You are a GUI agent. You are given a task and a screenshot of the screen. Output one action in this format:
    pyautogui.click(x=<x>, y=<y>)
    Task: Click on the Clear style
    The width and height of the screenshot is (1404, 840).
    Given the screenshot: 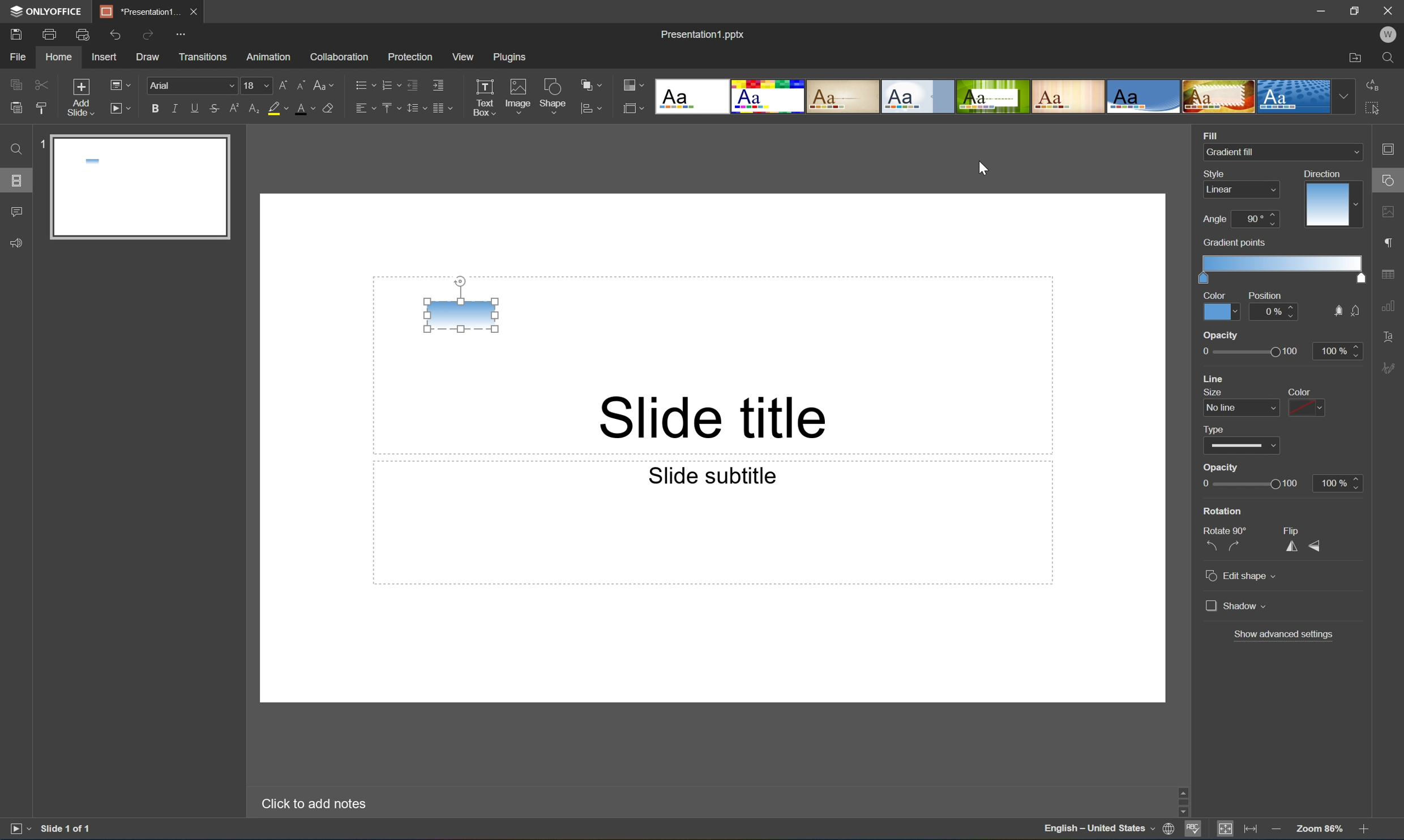 What is the action you would take?
    pyautogui.click(x=328, y=107)
    